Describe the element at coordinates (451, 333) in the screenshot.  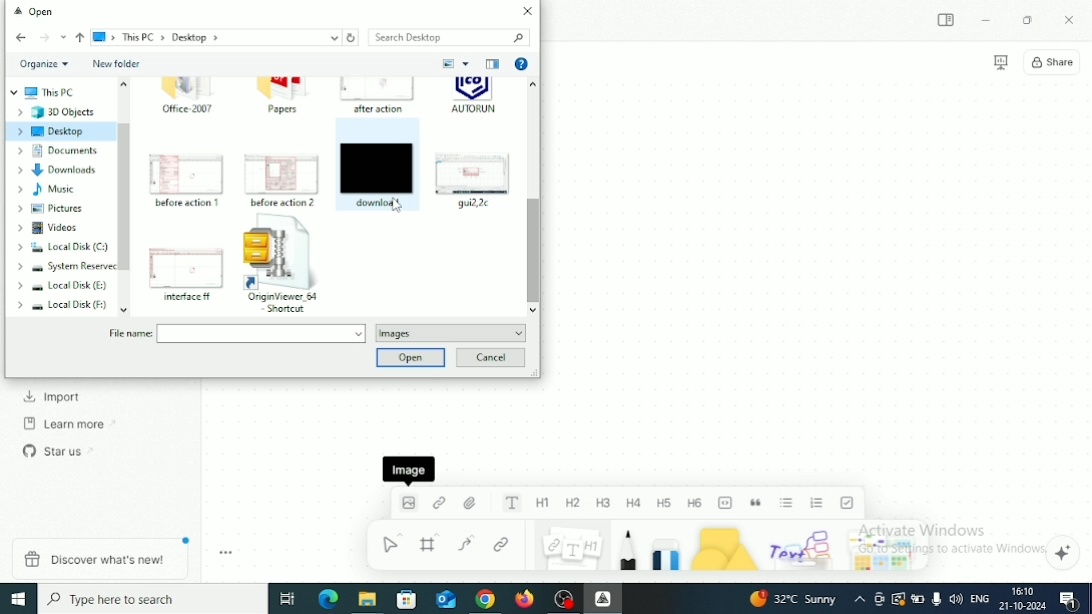
I see `Images` at that location.